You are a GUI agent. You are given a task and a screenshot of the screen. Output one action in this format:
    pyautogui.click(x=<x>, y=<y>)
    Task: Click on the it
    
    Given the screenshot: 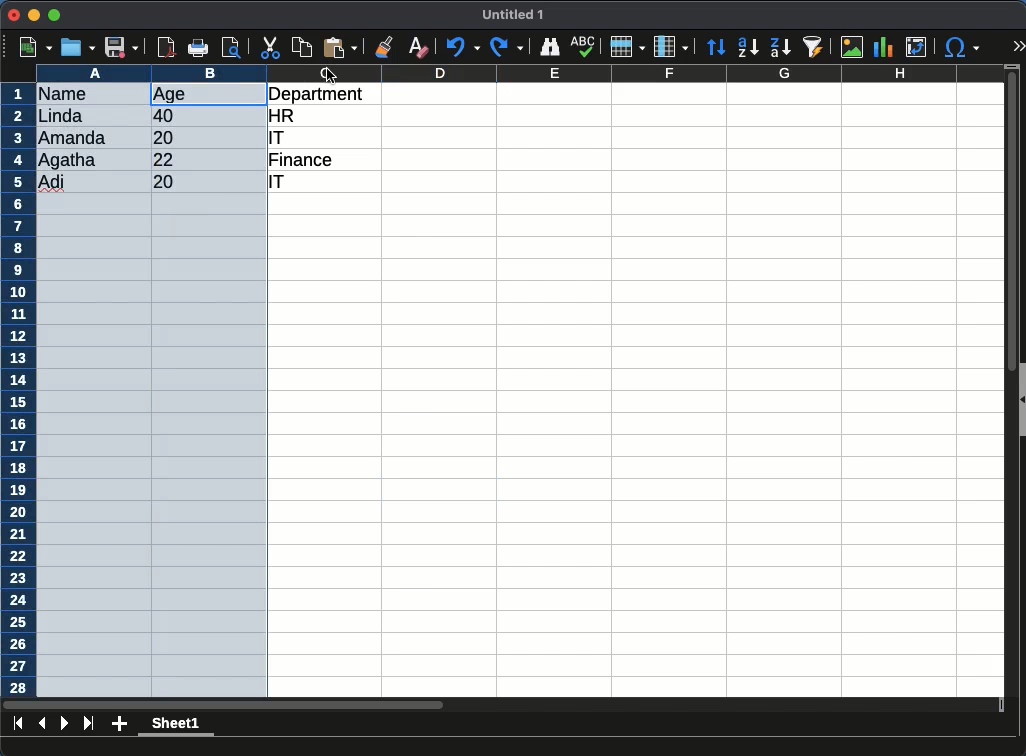 What is the action you would take?
    pyautogui.click(x=276, y=138)
    